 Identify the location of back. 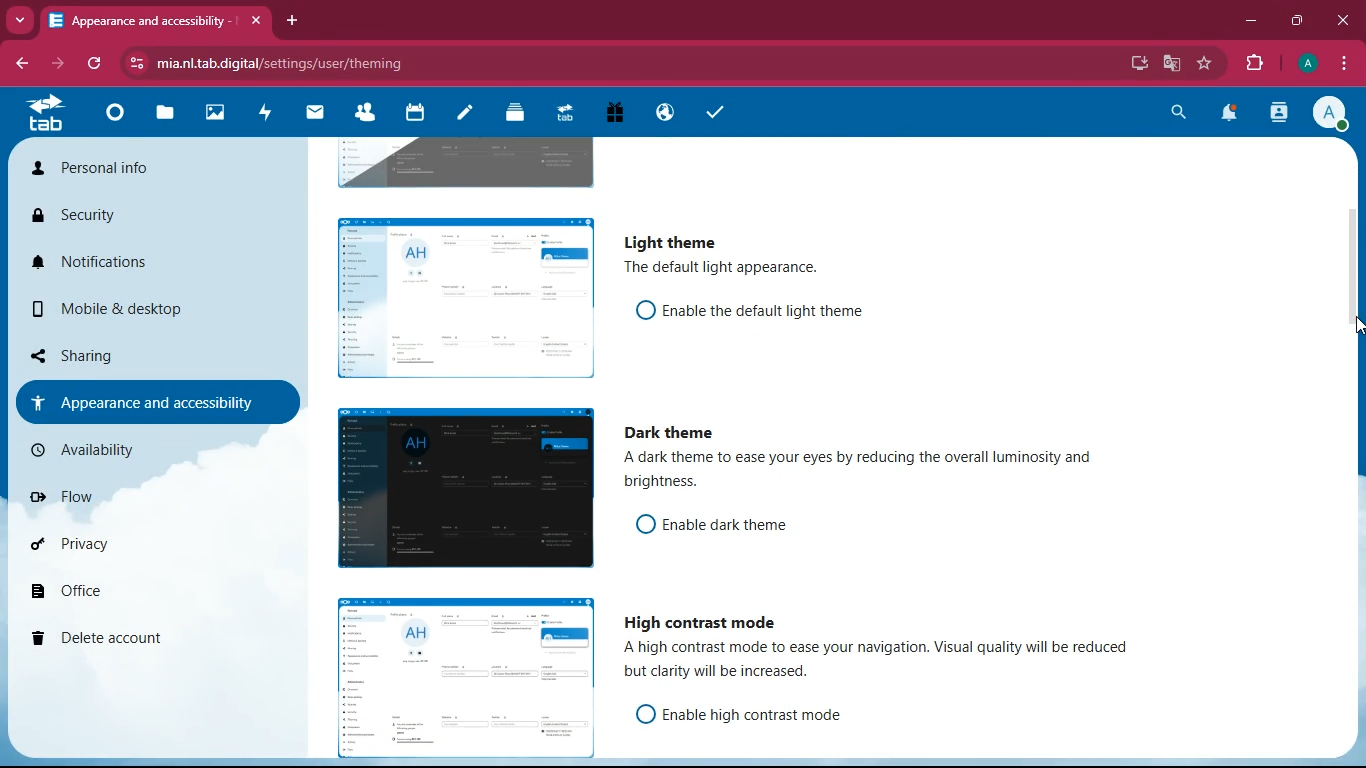
(22, 64).